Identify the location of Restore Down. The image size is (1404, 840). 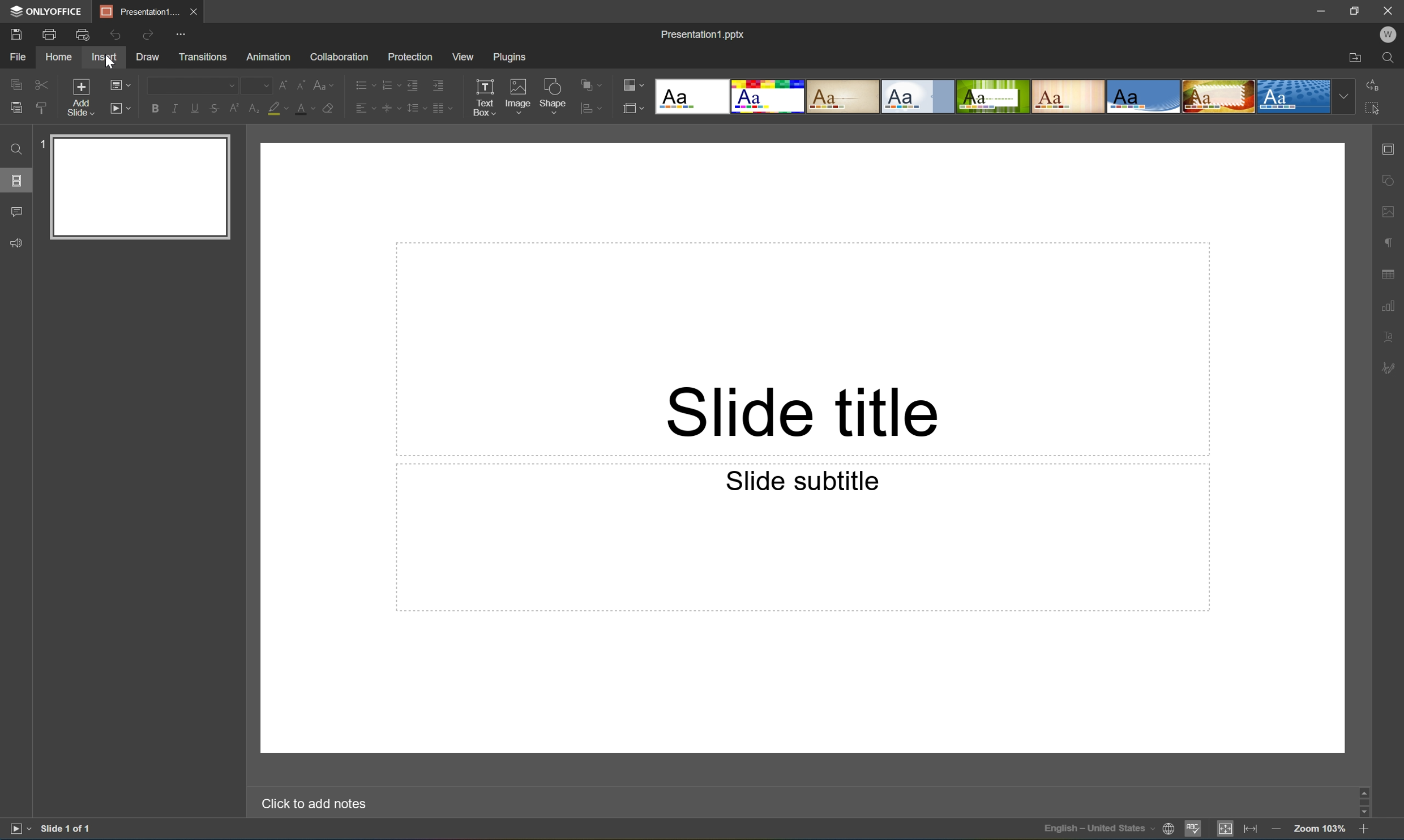
(1356, 8).